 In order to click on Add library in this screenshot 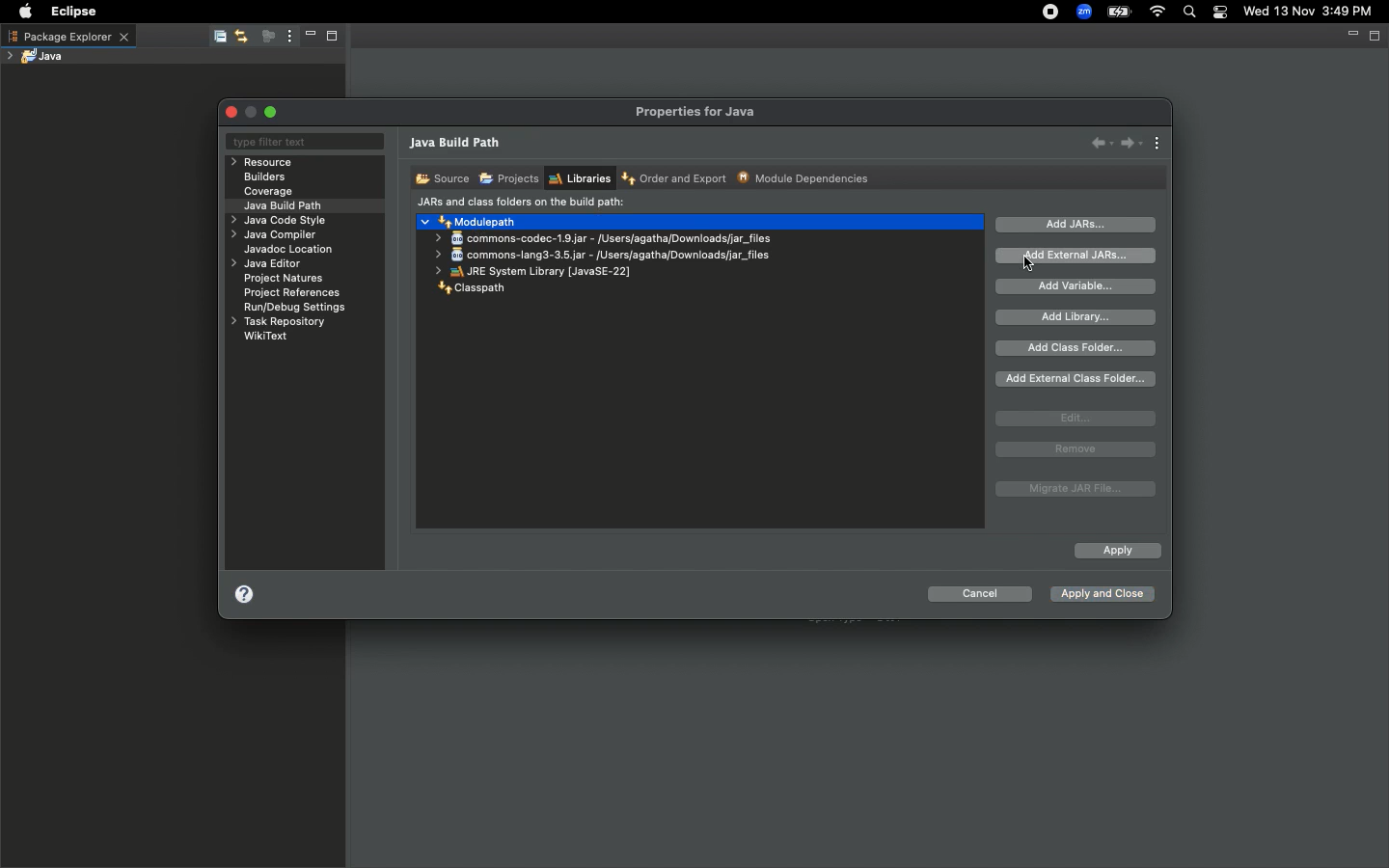, I will do `click(1078, 317)`.